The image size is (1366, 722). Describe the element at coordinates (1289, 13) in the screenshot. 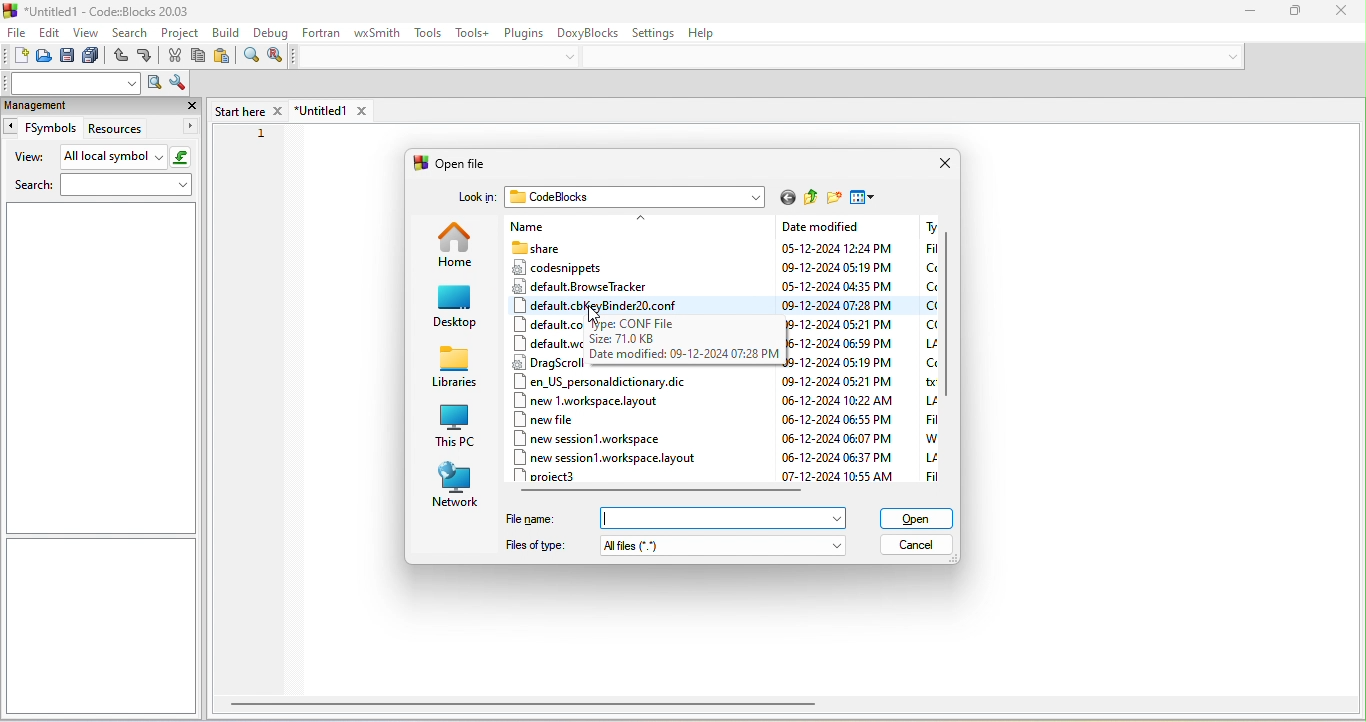

I see `maximize` at that location.